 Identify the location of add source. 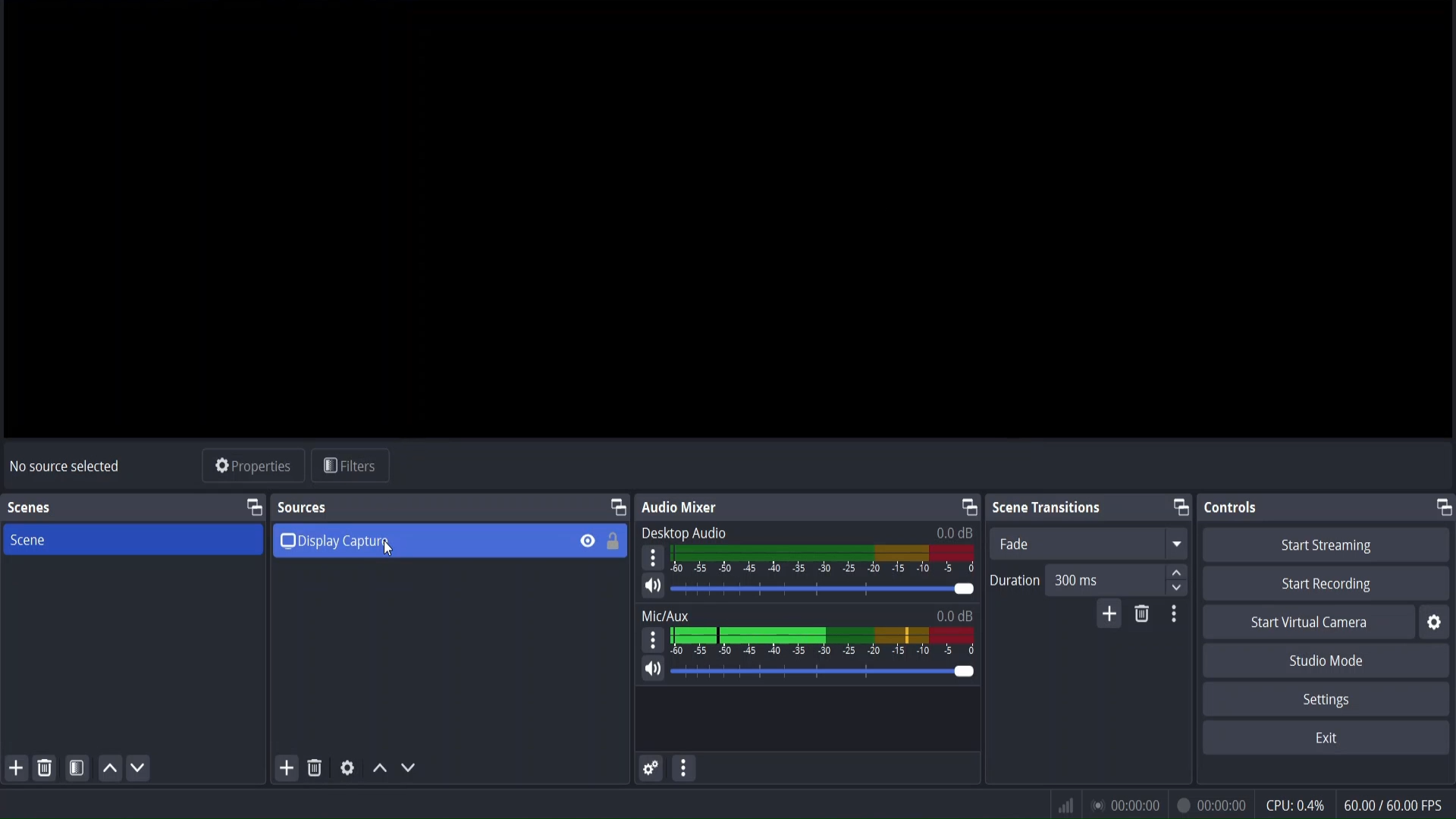
(284, 770).